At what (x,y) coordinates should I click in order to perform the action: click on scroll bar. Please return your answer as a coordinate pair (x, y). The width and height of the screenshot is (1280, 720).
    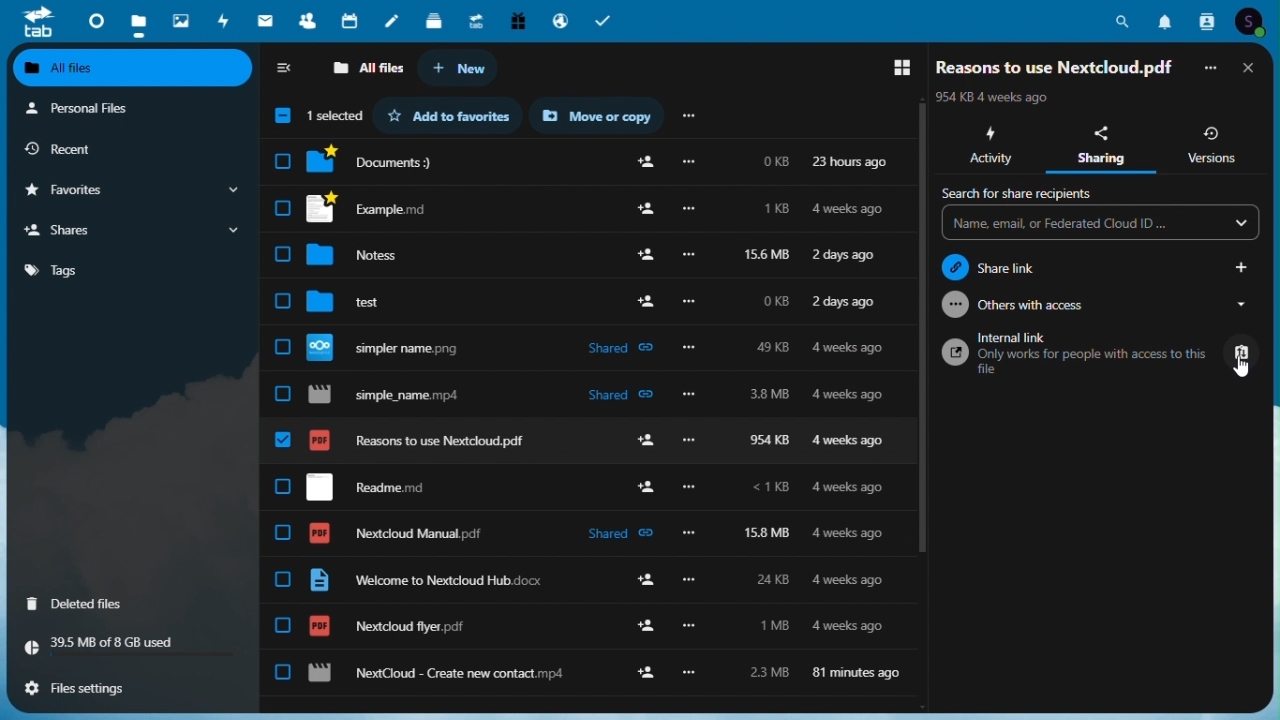
    Looking at the image, I should click on (1272, 327).